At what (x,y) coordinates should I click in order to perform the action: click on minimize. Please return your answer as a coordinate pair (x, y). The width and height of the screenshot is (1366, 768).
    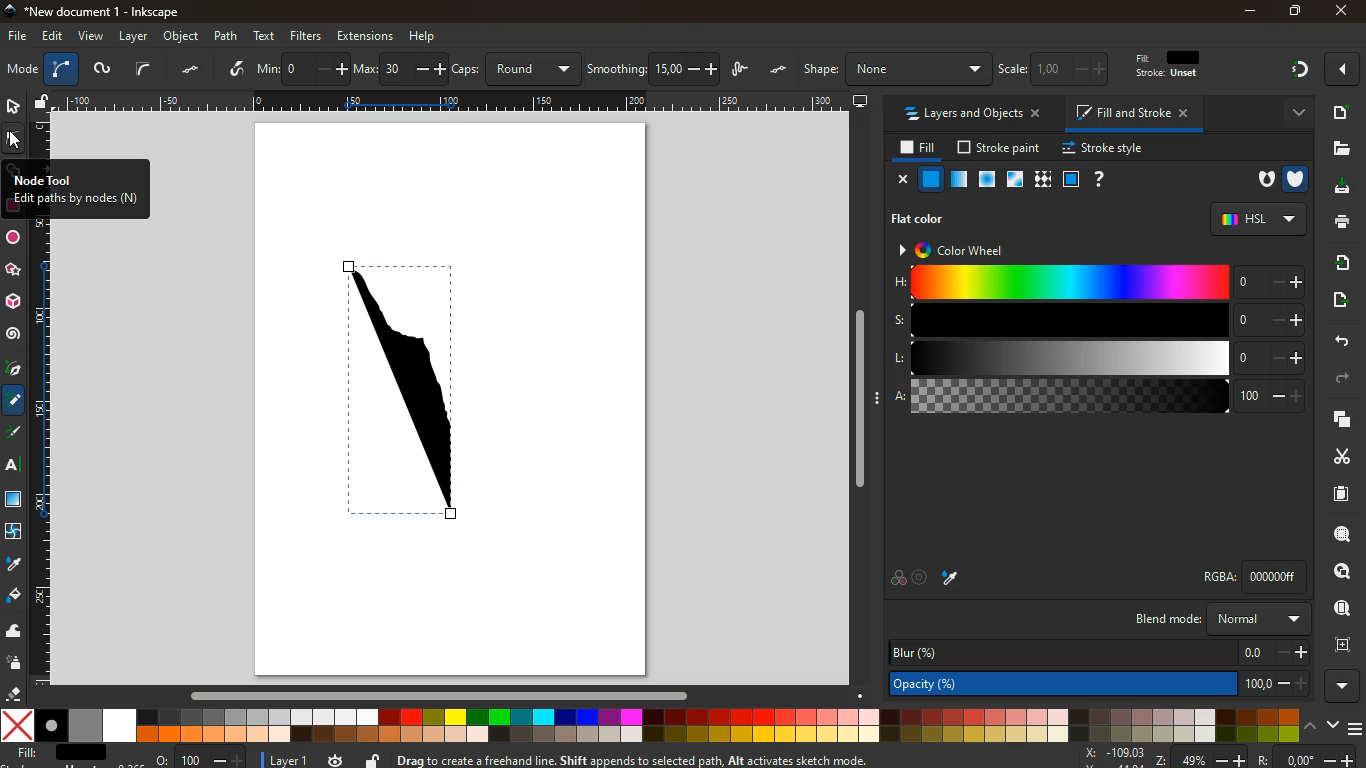
    Looking at the image, I should click on (1250, 12).